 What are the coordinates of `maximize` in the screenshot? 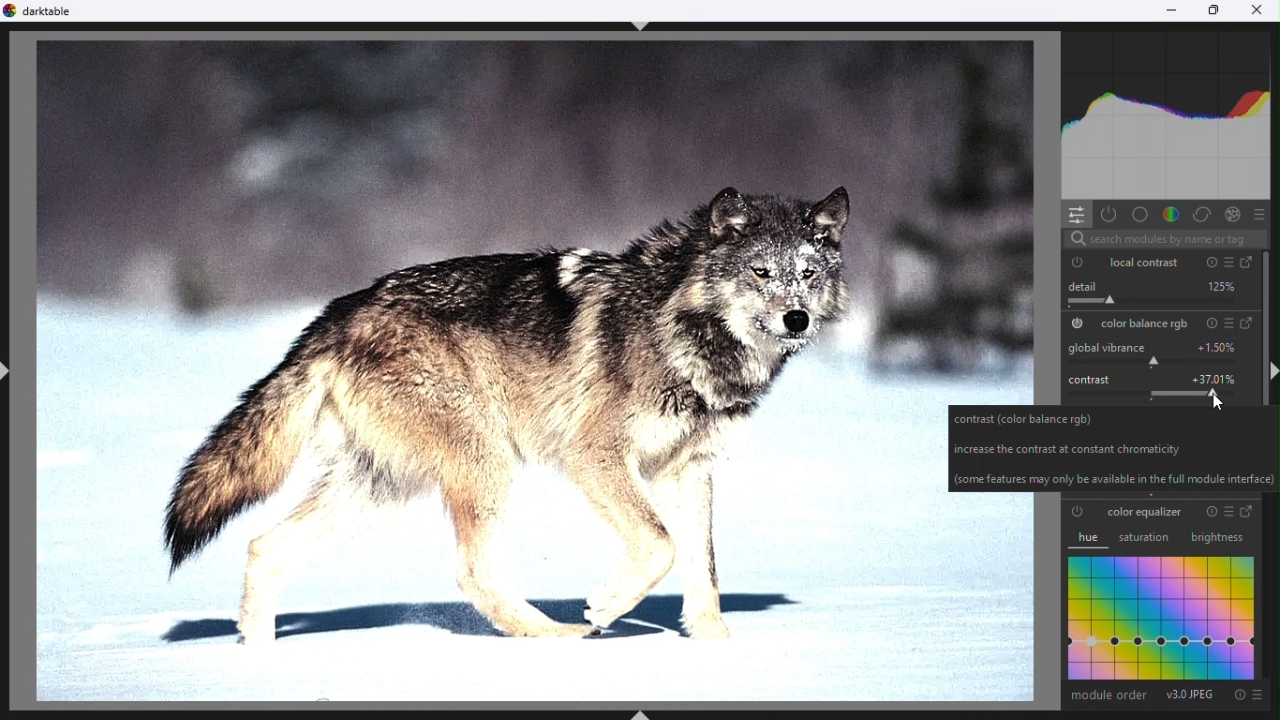 It's located at (1223, 10).